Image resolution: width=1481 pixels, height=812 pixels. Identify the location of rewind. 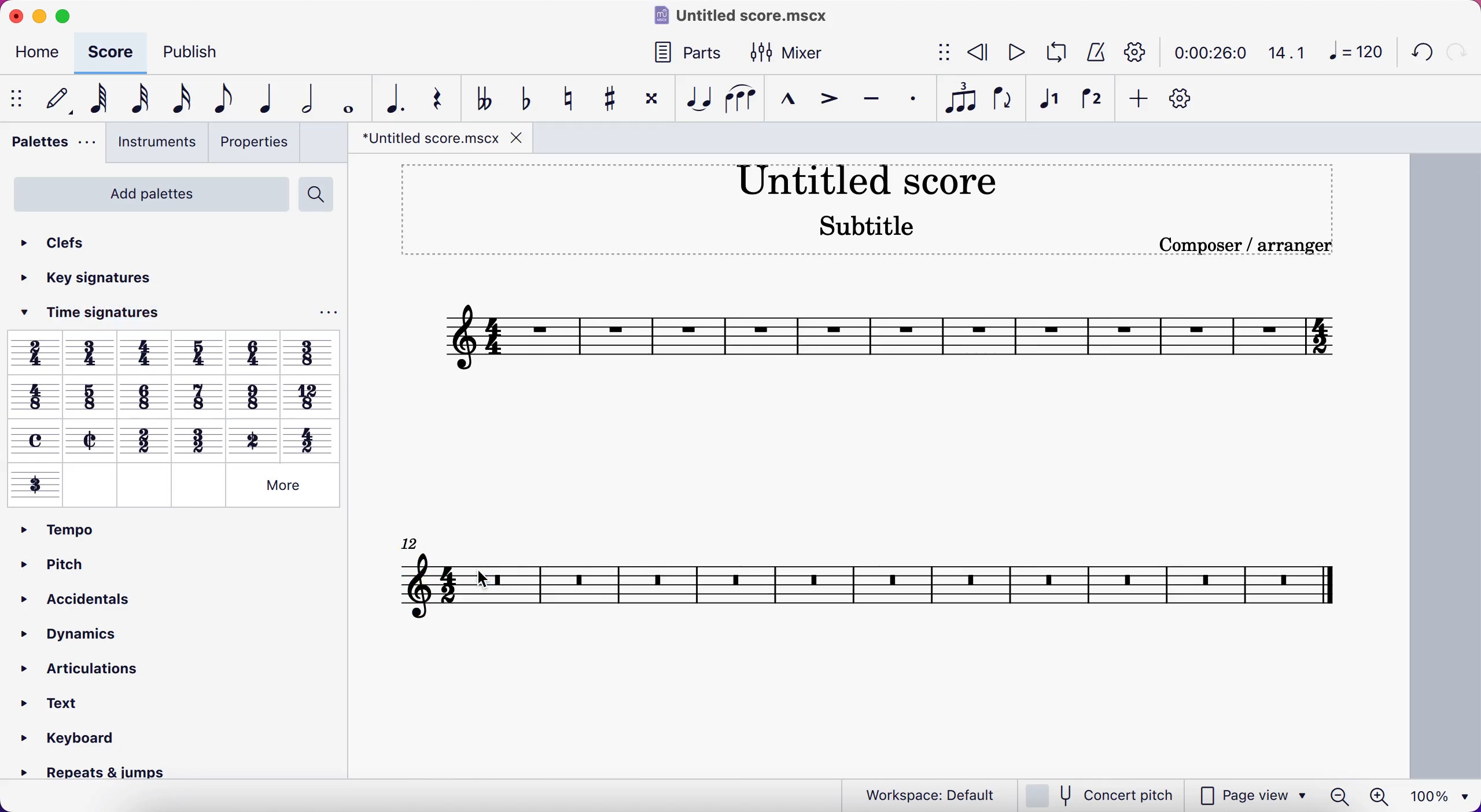
(973, 54).